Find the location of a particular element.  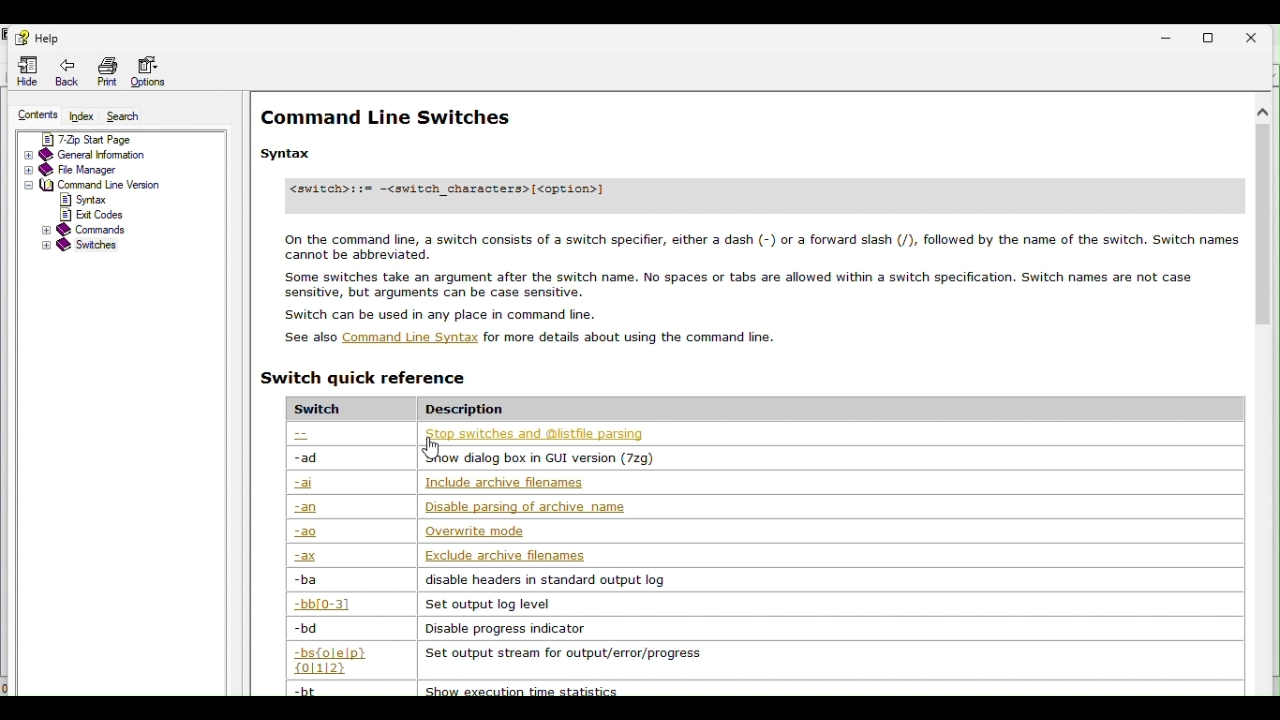

Disable progress indicator is located at coordinates (515, 628).